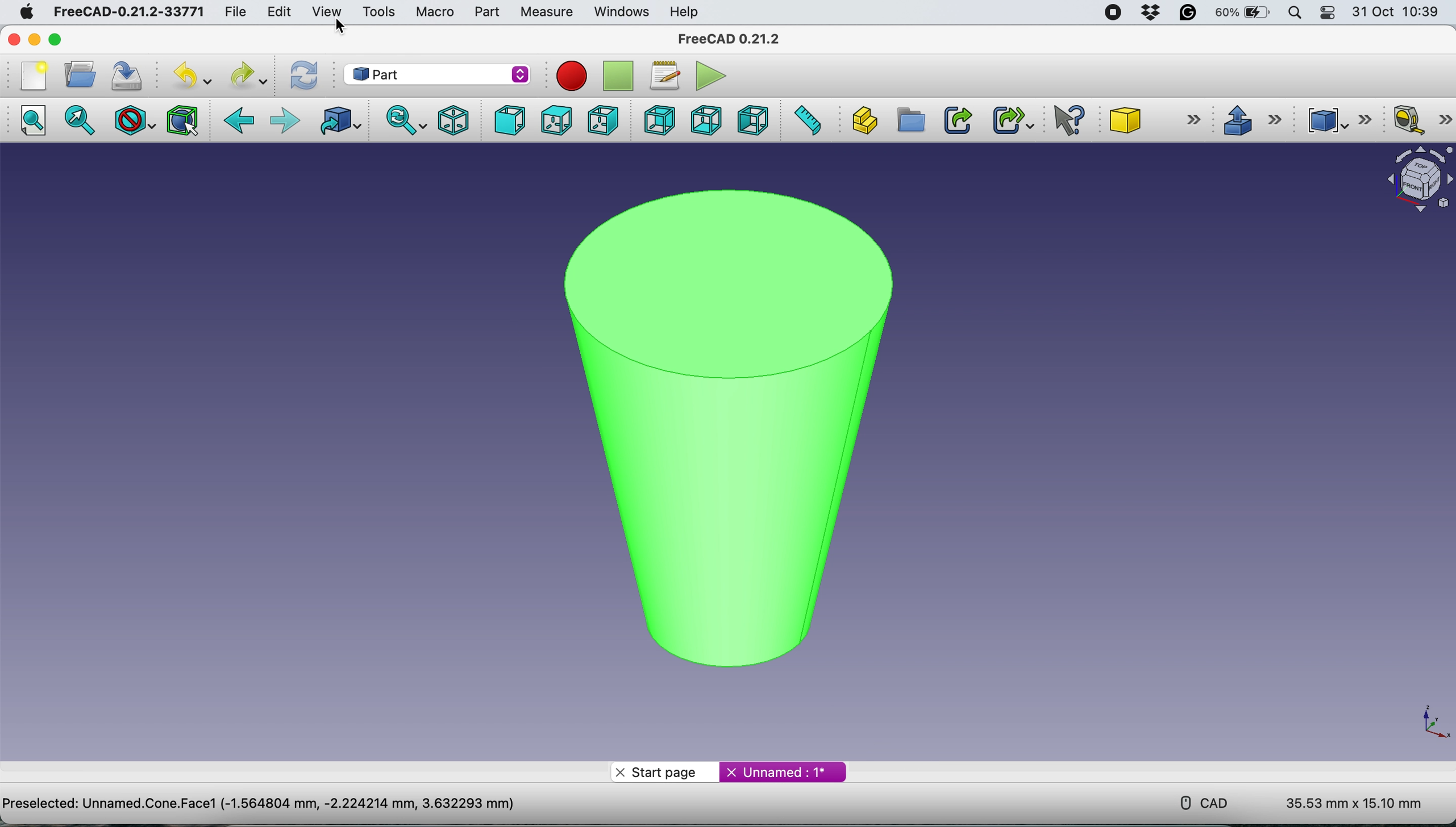  Describe the element at coordinates (619, 11) in the screenshot. I see `windows` at that location.